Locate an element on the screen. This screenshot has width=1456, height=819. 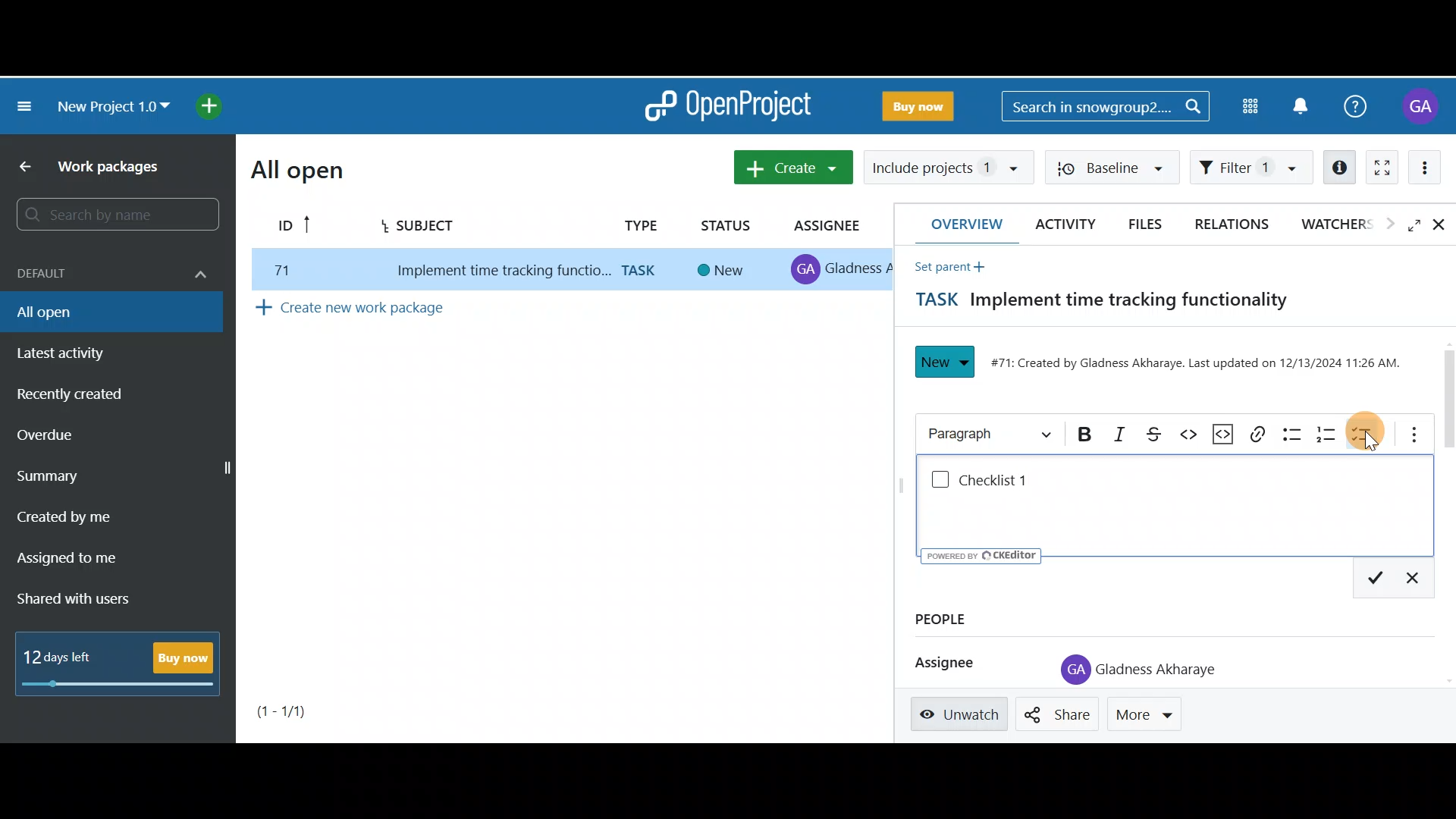
Type is located at coordinates (638, 224).